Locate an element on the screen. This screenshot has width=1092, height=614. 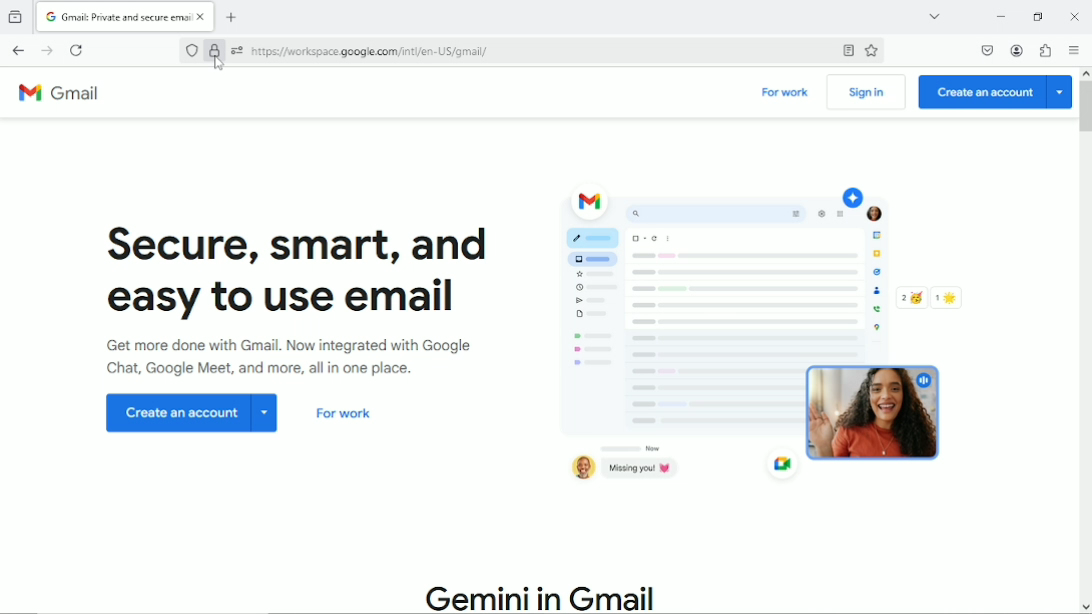
View recent browsing is located at coordinates (18, 15).